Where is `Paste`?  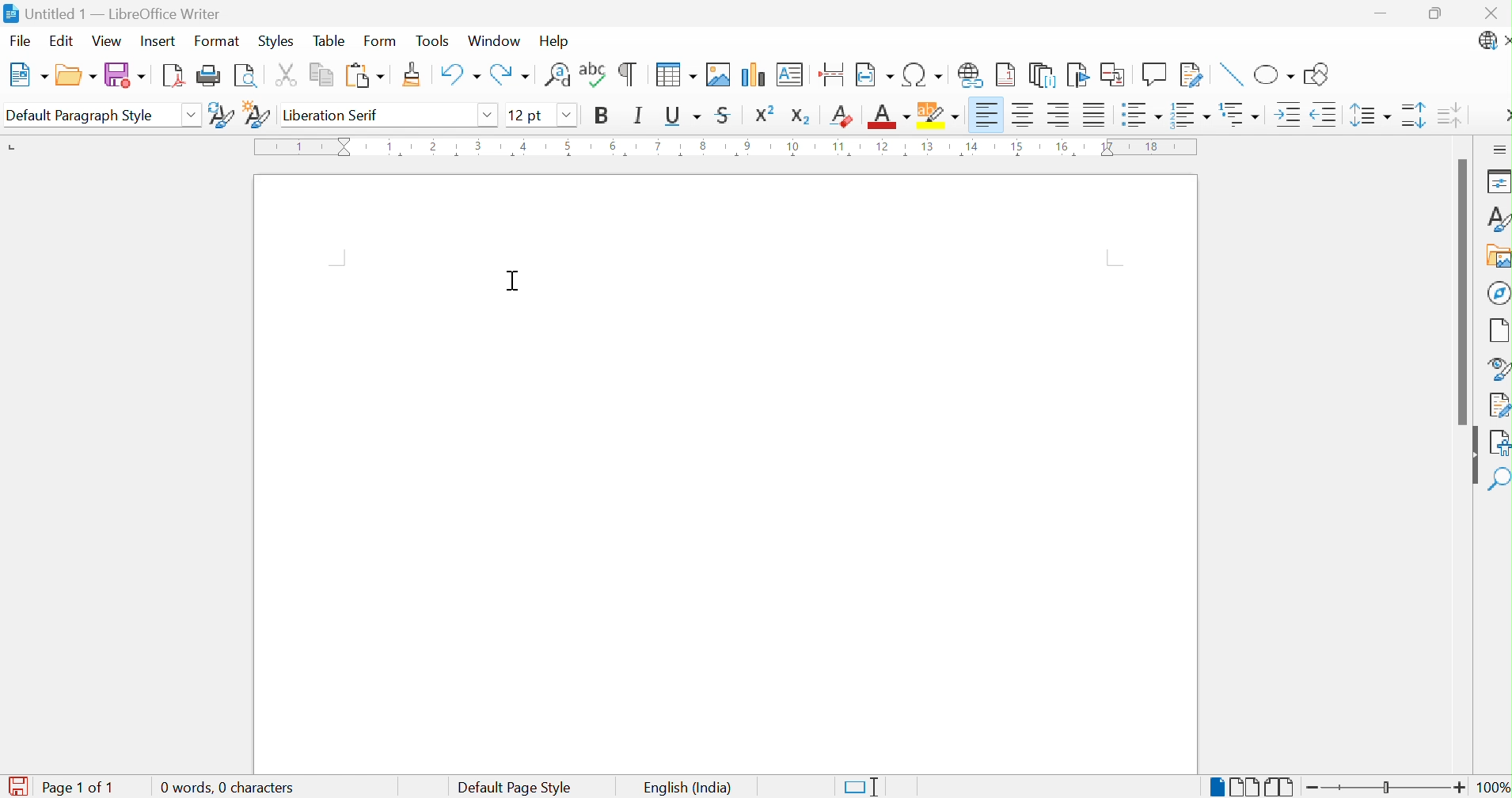
Paste is located at coordinates (365, 76).